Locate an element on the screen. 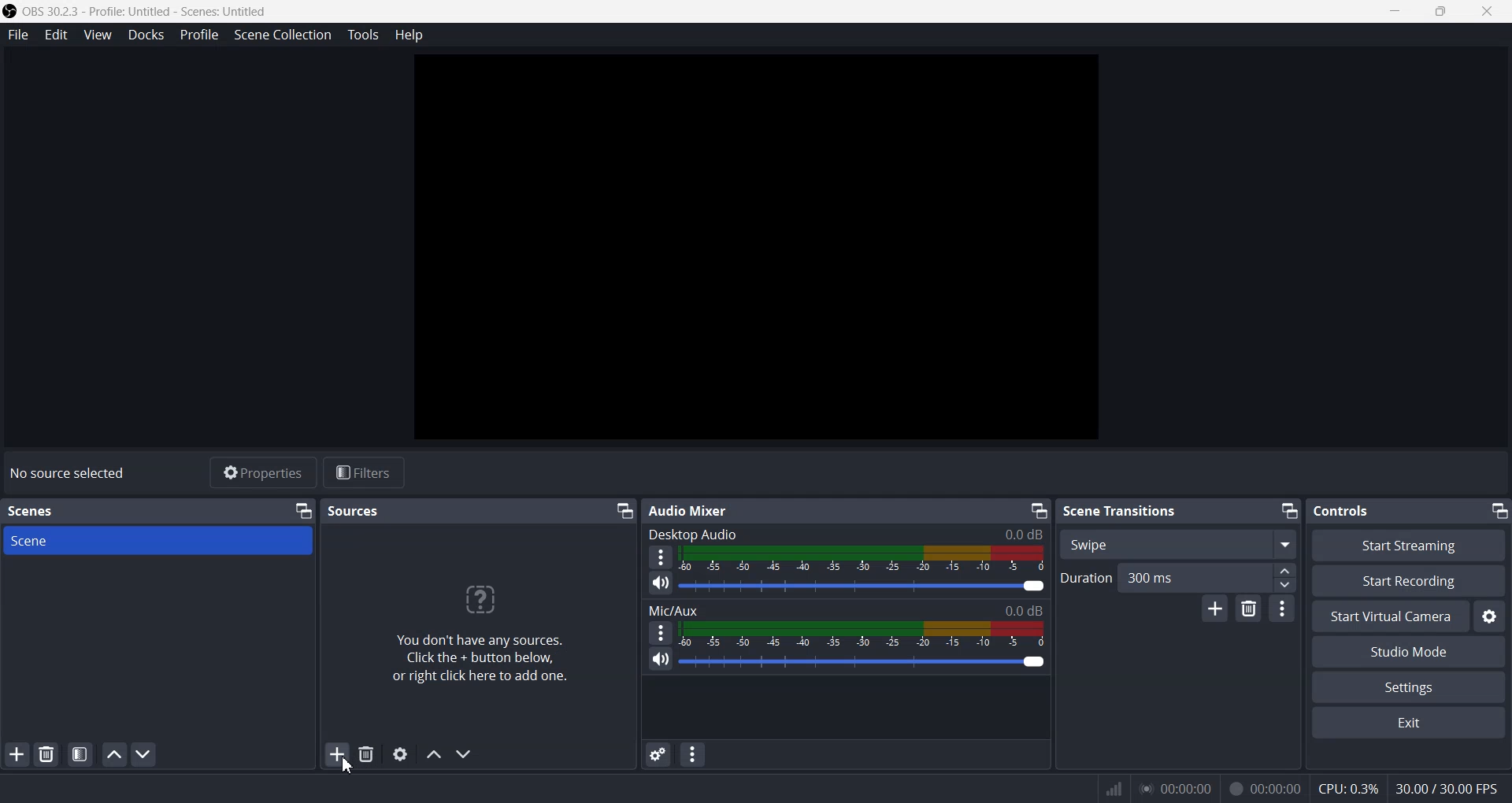  Move Scene Down is located at coordinates (143, 753).